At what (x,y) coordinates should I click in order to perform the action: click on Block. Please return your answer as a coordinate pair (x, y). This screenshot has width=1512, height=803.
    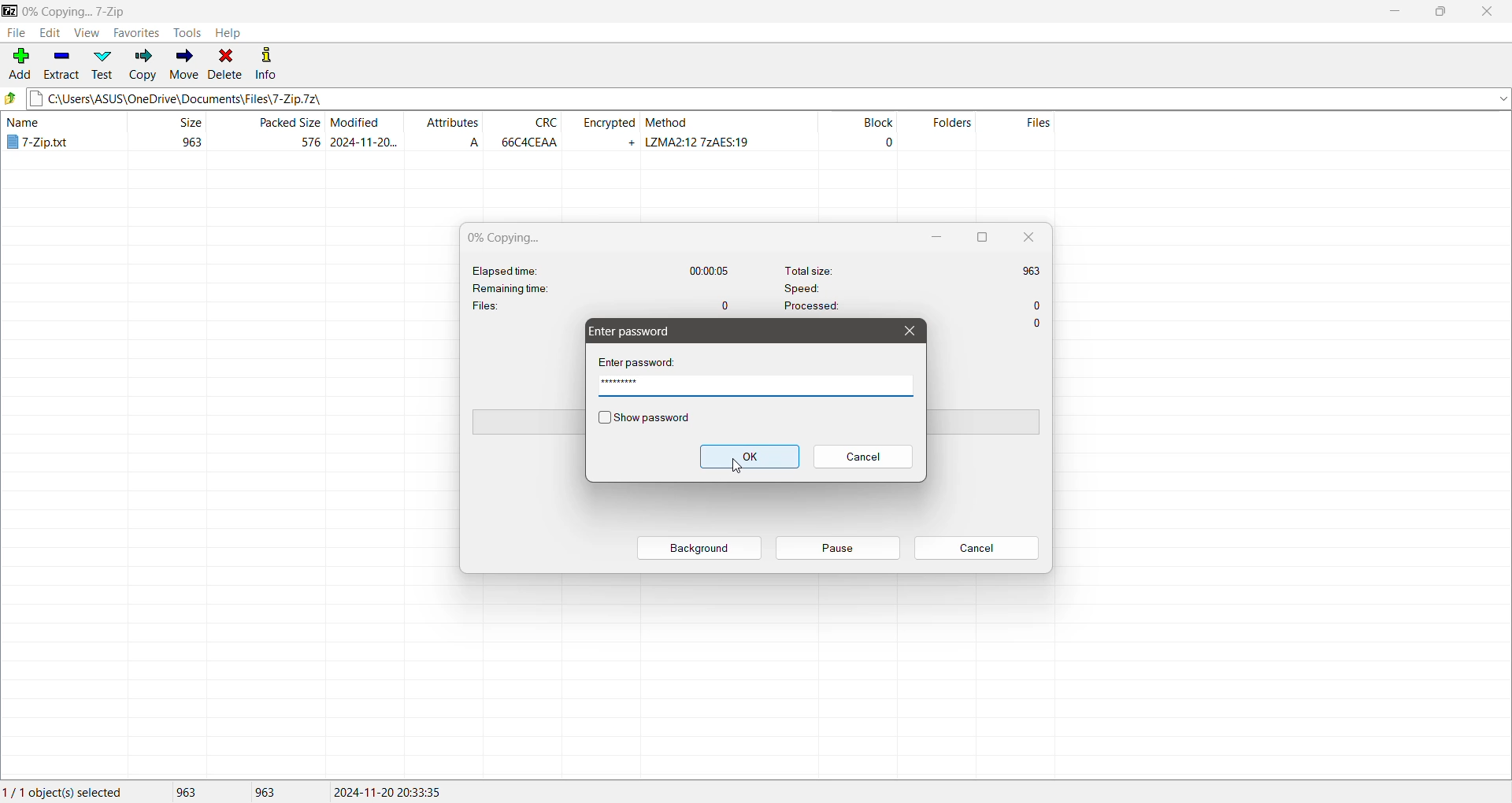
    Looking at the image, I should click on (857, 133).